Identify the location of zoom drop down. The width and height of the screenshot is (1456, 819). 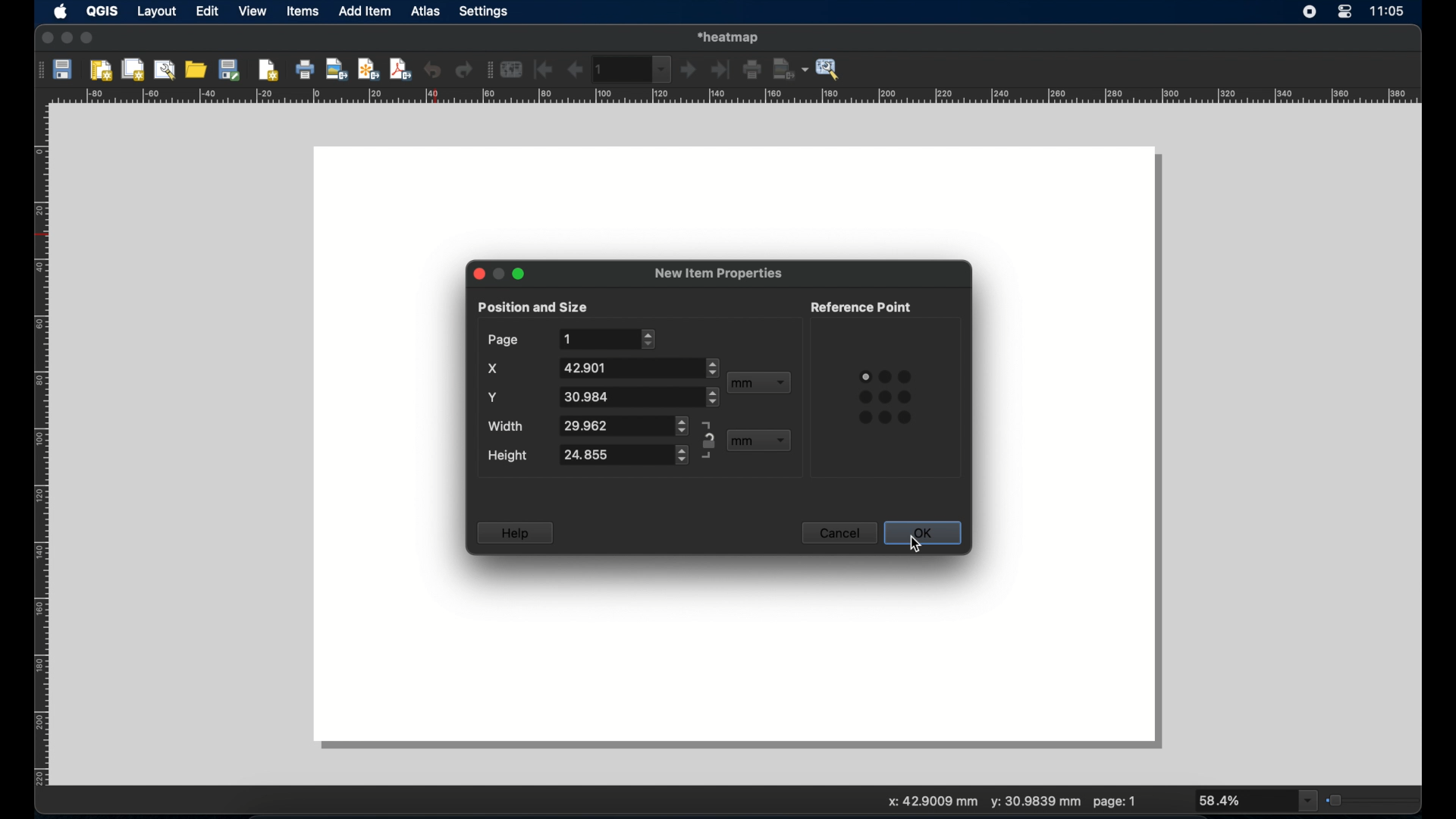
(1258, 801).